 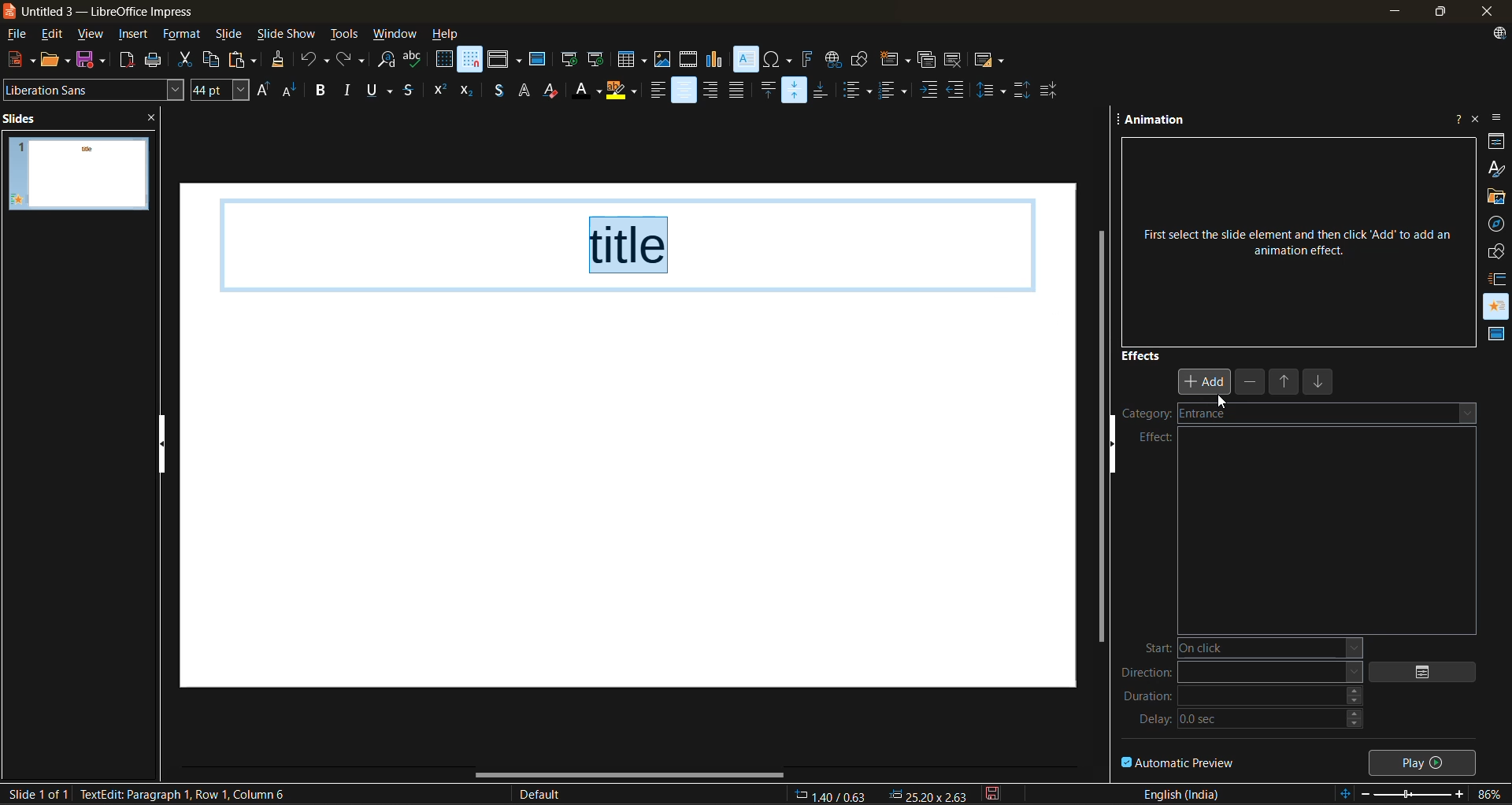 What do you see at coordinates (632, 244) in the screenshot?
I see `title` at bounding box center [632, 244].